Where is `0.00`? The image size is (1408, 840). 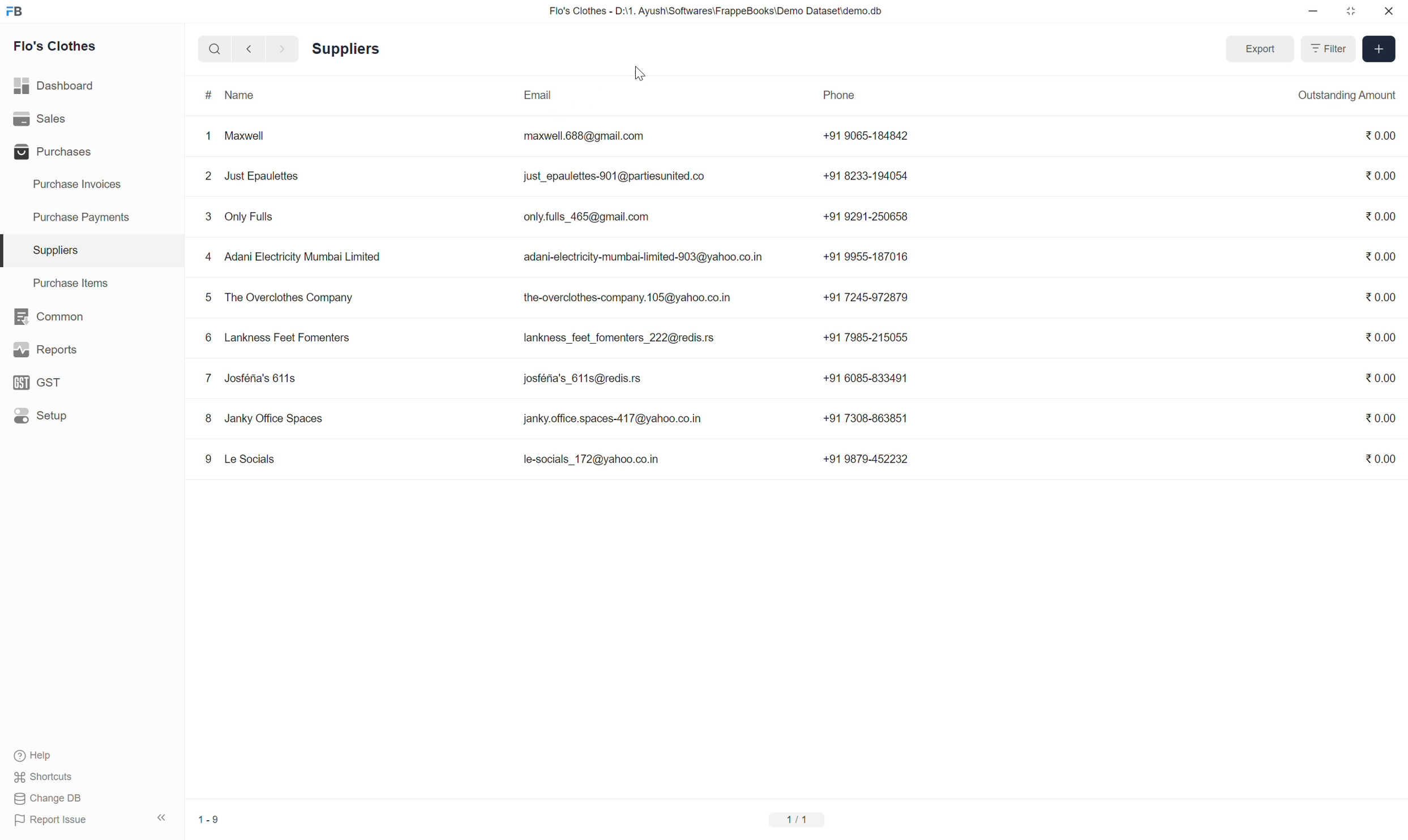
0.00 is located at coordinates (1379, 256).